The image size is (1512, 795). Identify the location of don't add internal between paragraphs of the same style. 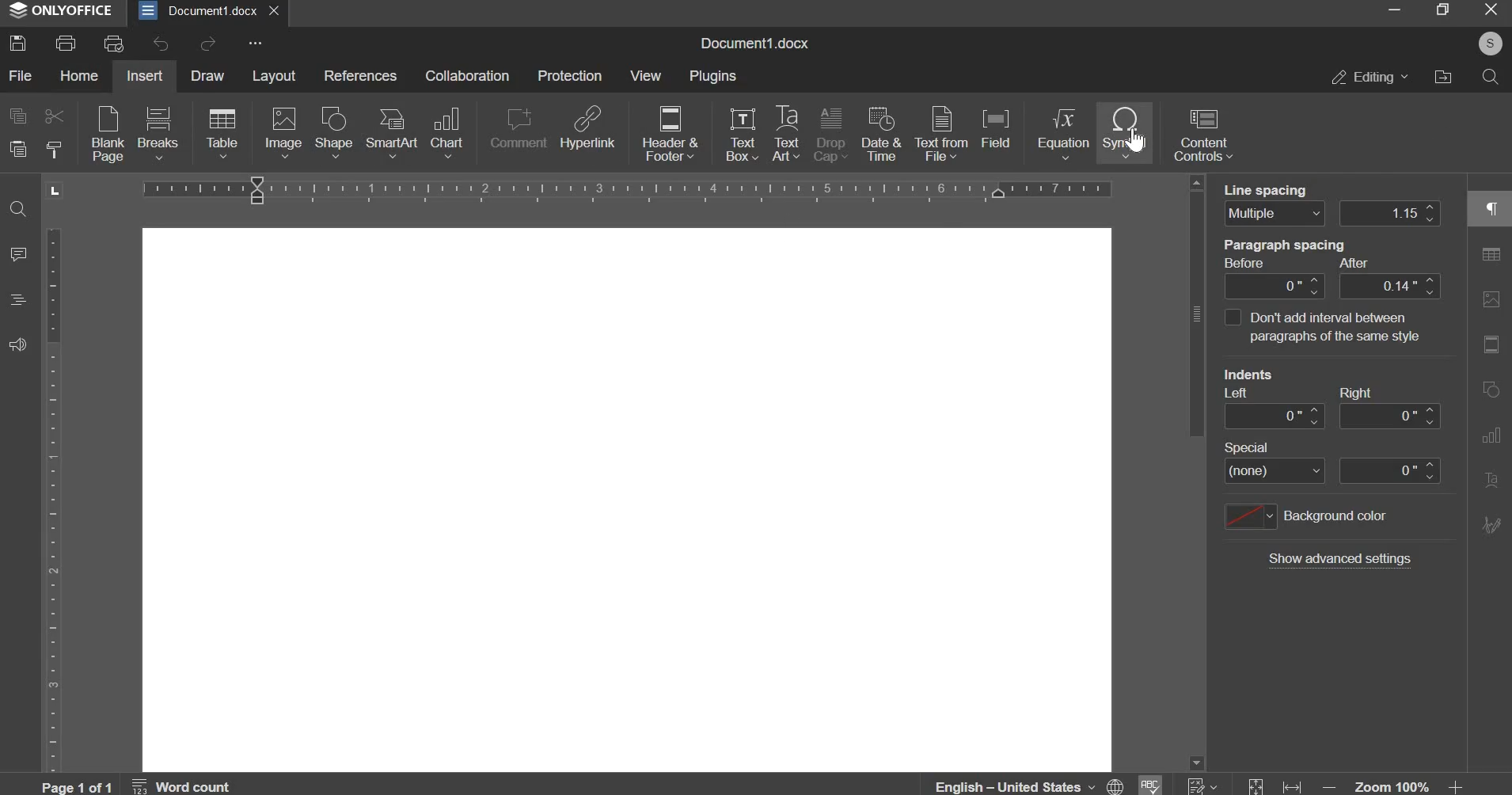
(1343, 330).